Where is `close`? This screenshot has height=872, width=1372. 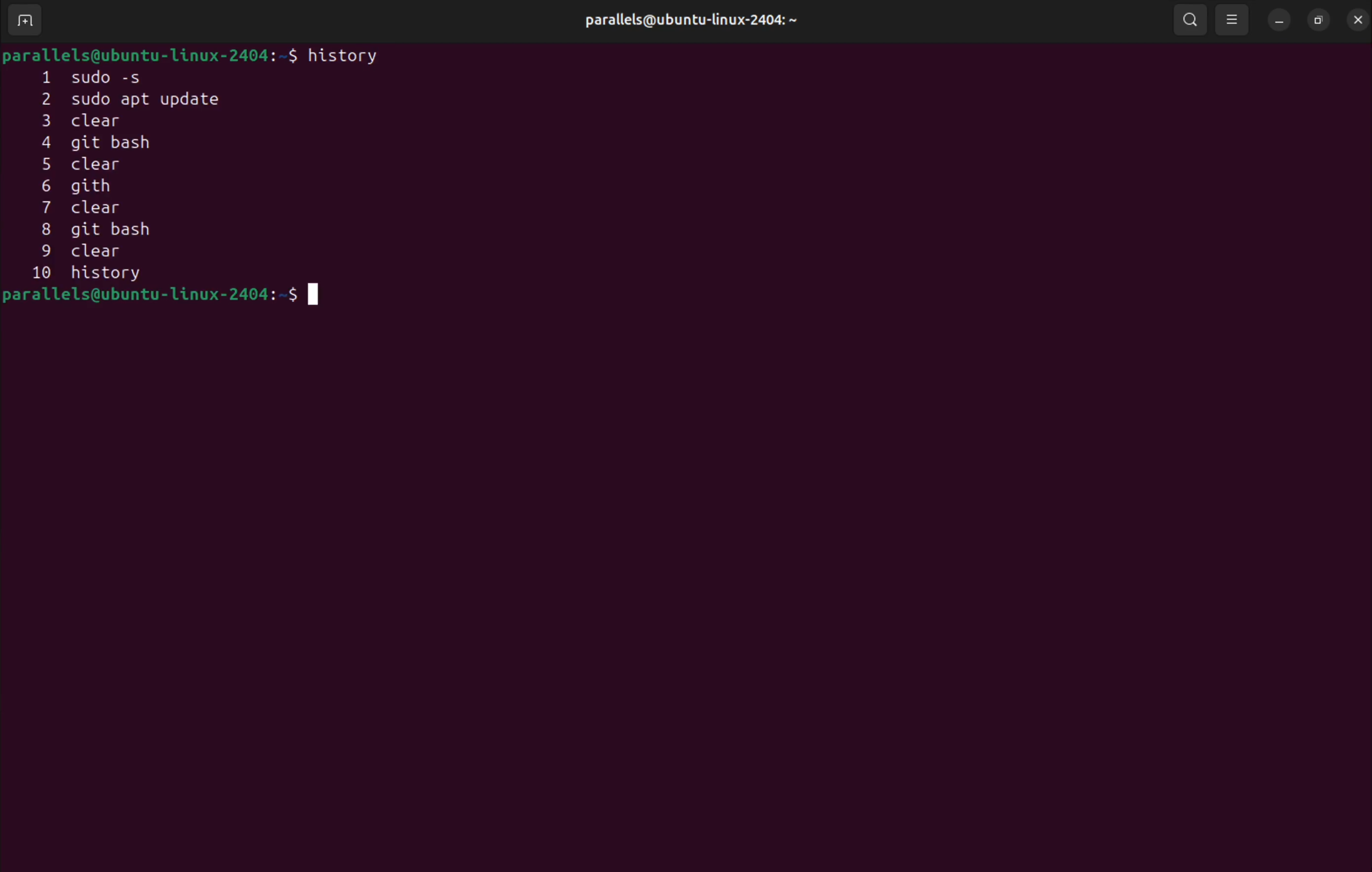 close is located at coordinates (1357, 16).